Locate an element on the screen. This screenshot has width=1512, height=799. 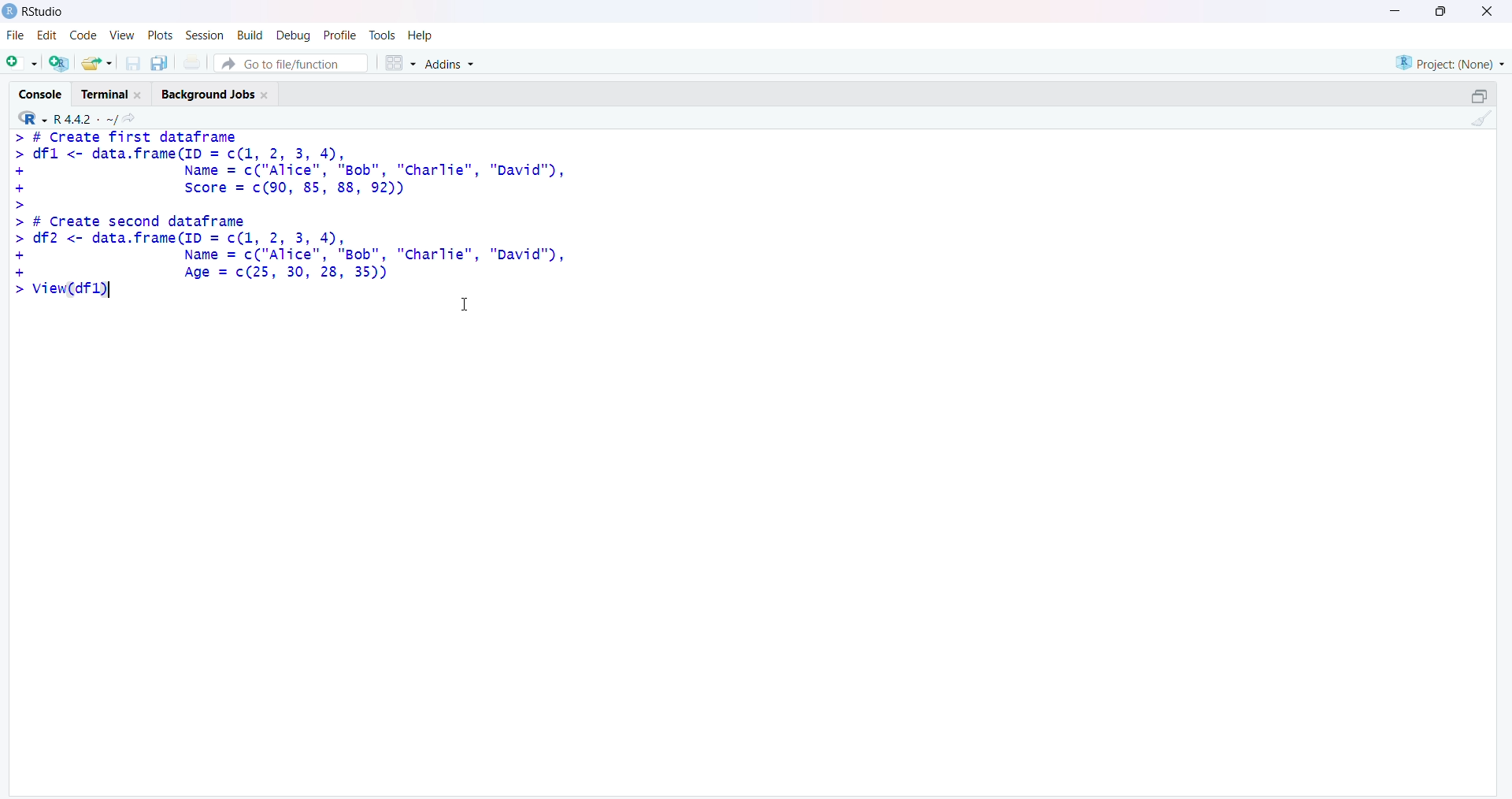
edit is located at coordinates (47, 35).